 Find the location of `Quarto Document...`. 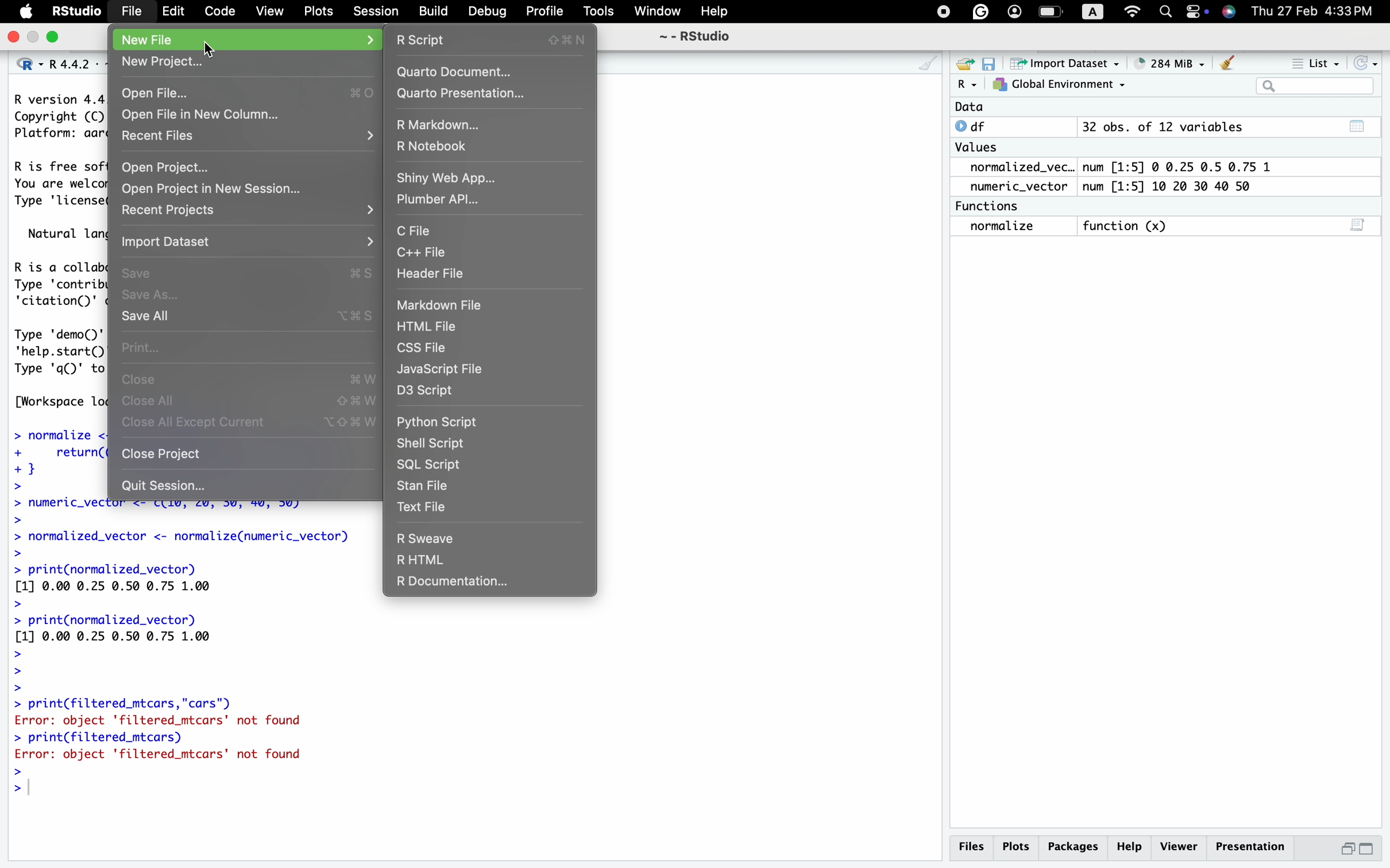

Quarto Document... is located at coordinates (455, 72).